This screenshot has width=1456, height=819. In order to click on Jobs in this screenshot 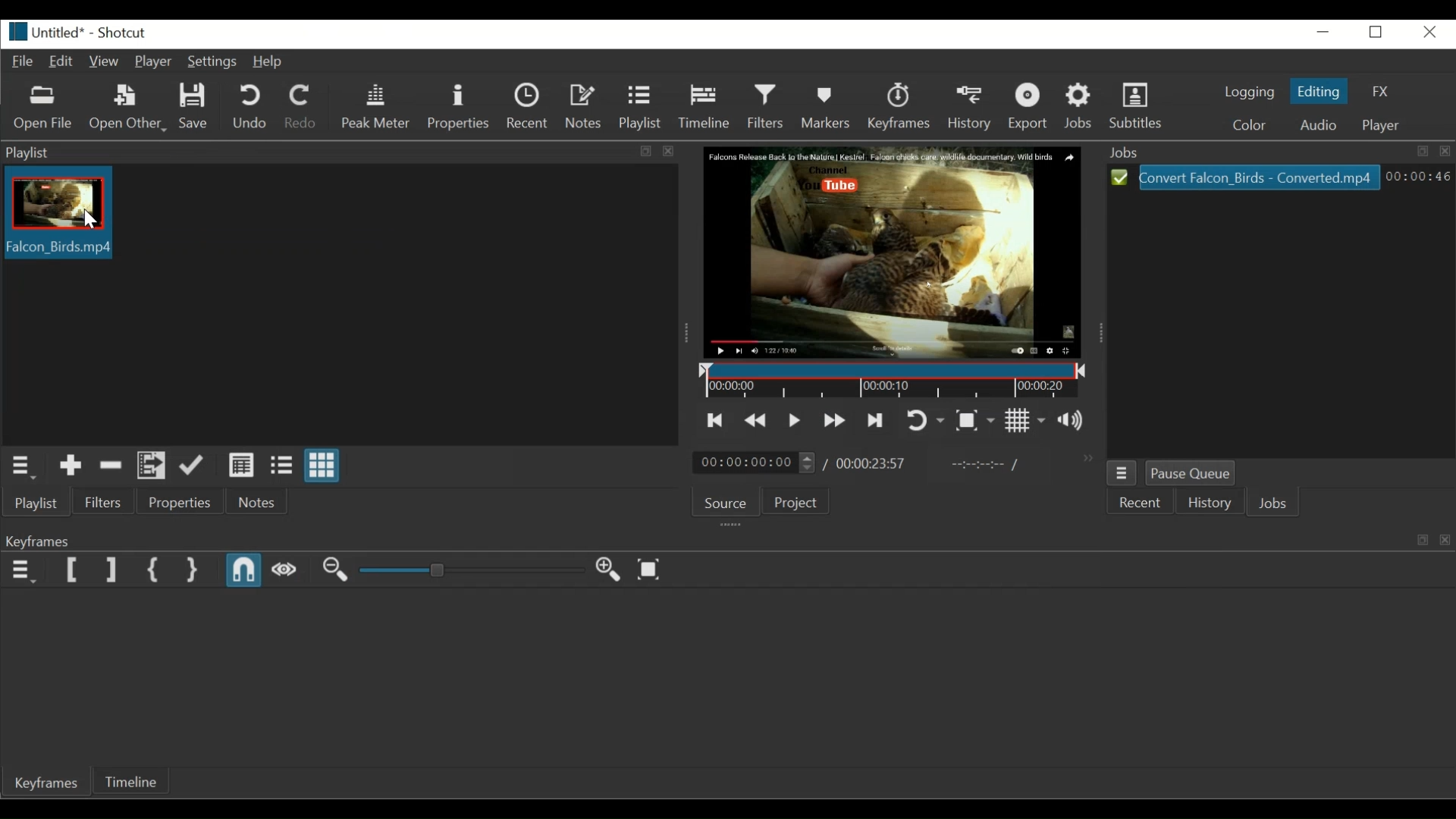, I will do `click(1079, 108)`.